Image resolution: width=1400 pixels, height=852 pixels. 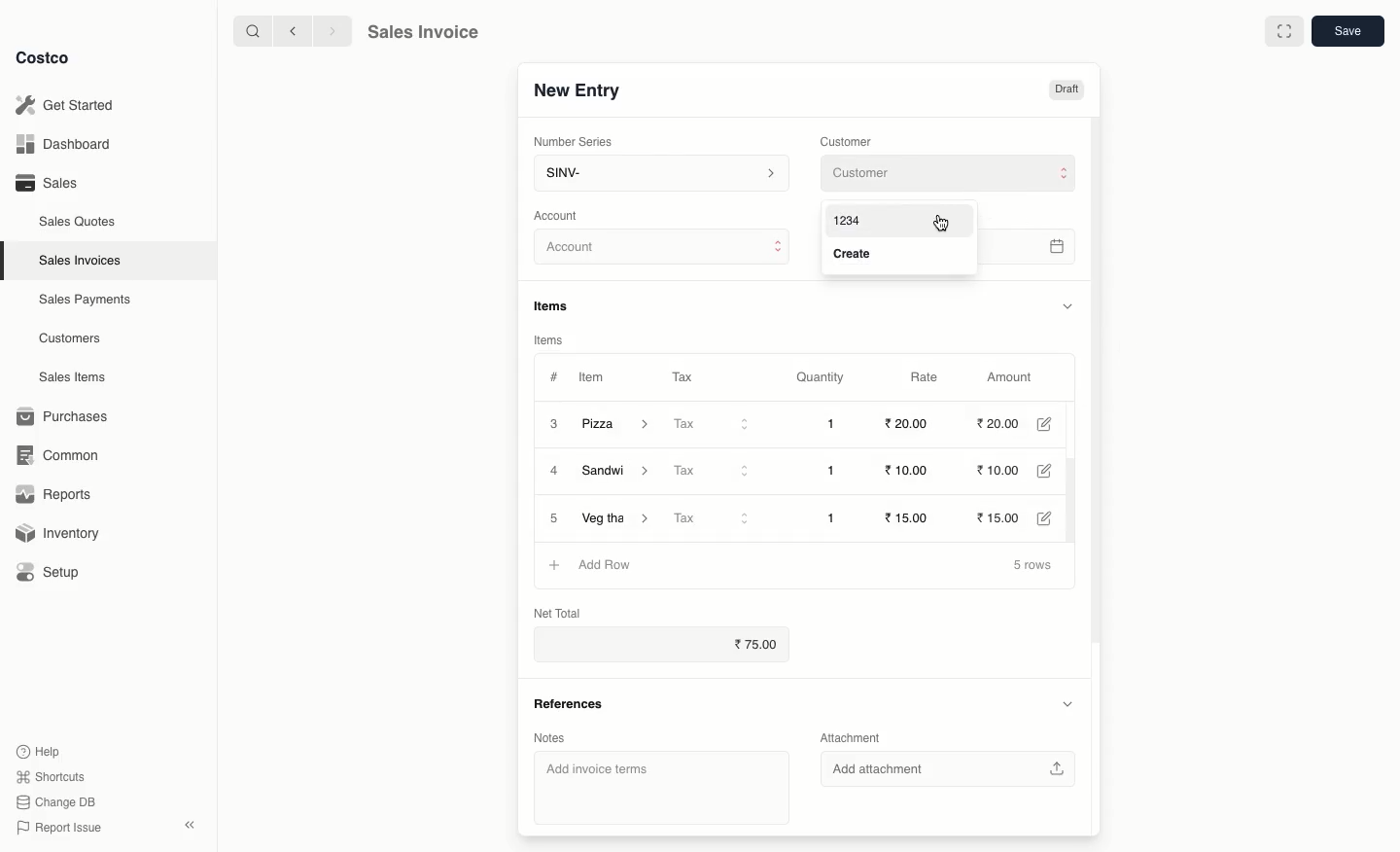 I want to click on Items, so click(x=549, y=339).